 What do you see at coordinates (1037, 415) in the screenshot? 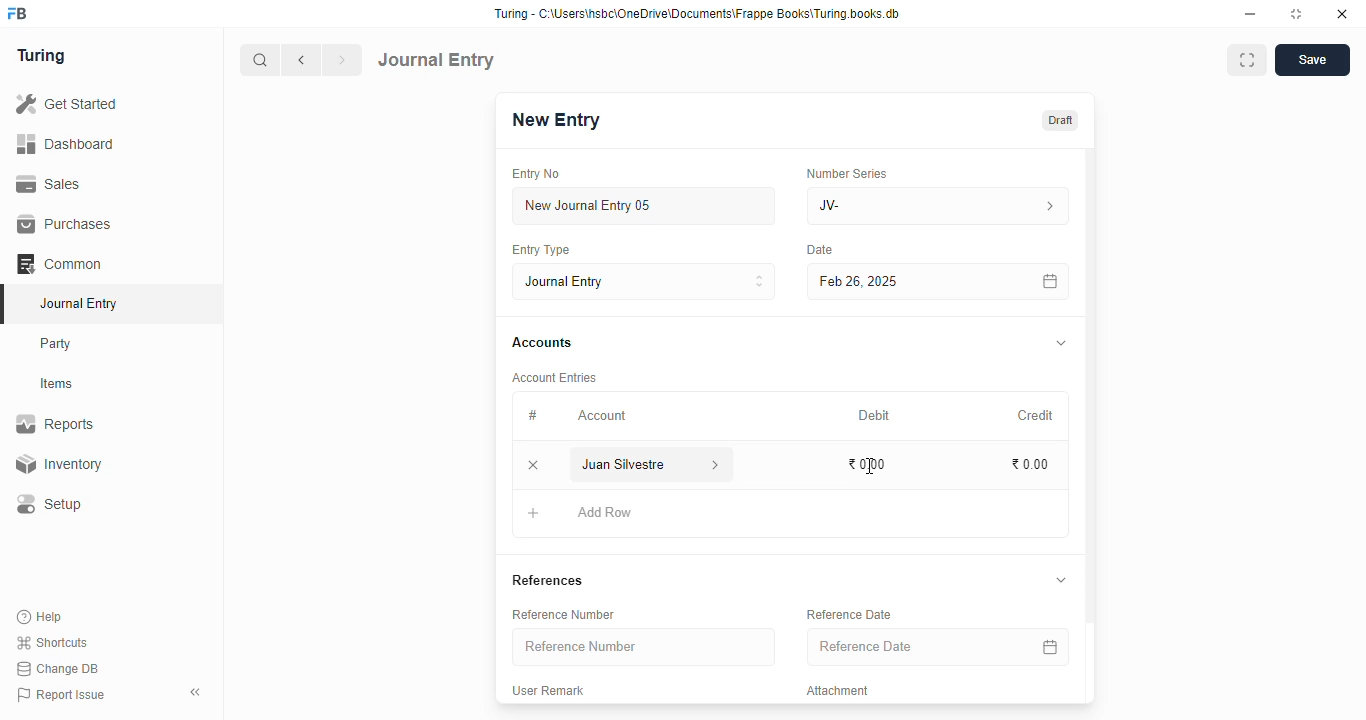
I see `credit` at bounding box center [1037, 415].